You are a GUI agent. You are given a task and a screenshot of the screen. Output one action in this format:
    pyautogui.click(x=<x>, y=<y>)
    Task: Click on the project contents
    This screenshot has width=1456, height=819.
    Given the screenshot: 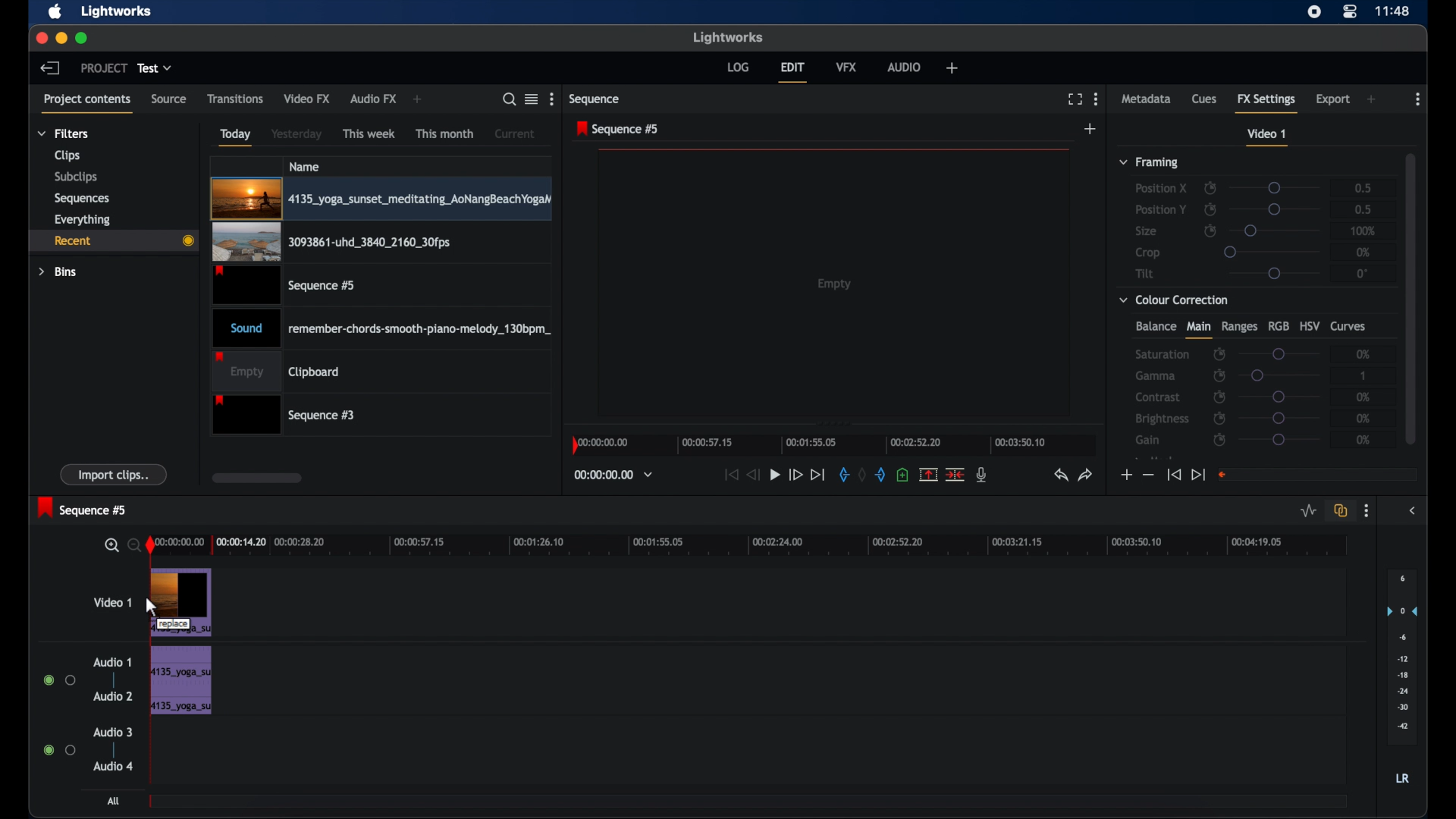 What is the action you would take?
    pyautogui.click(x=89, y=102)
    